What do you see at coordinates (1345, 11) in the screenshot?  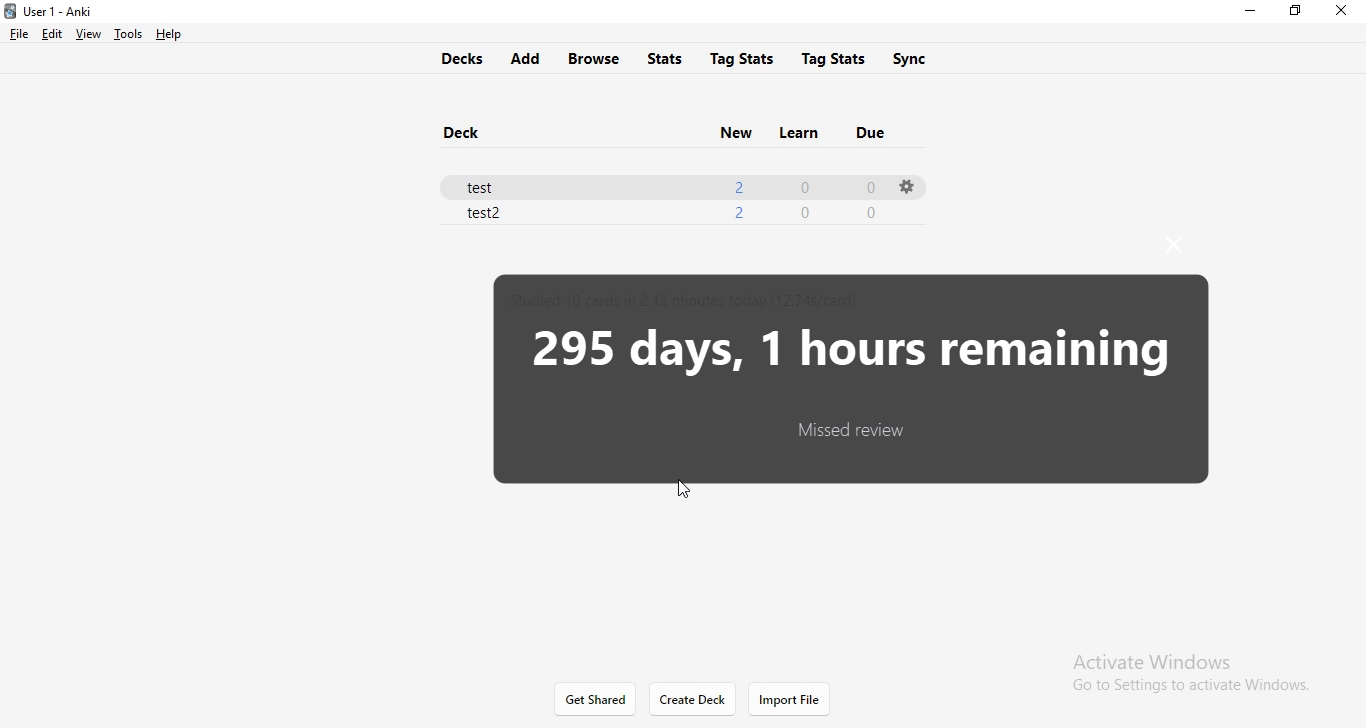 I see `close` at bounding box center [1345, 11].